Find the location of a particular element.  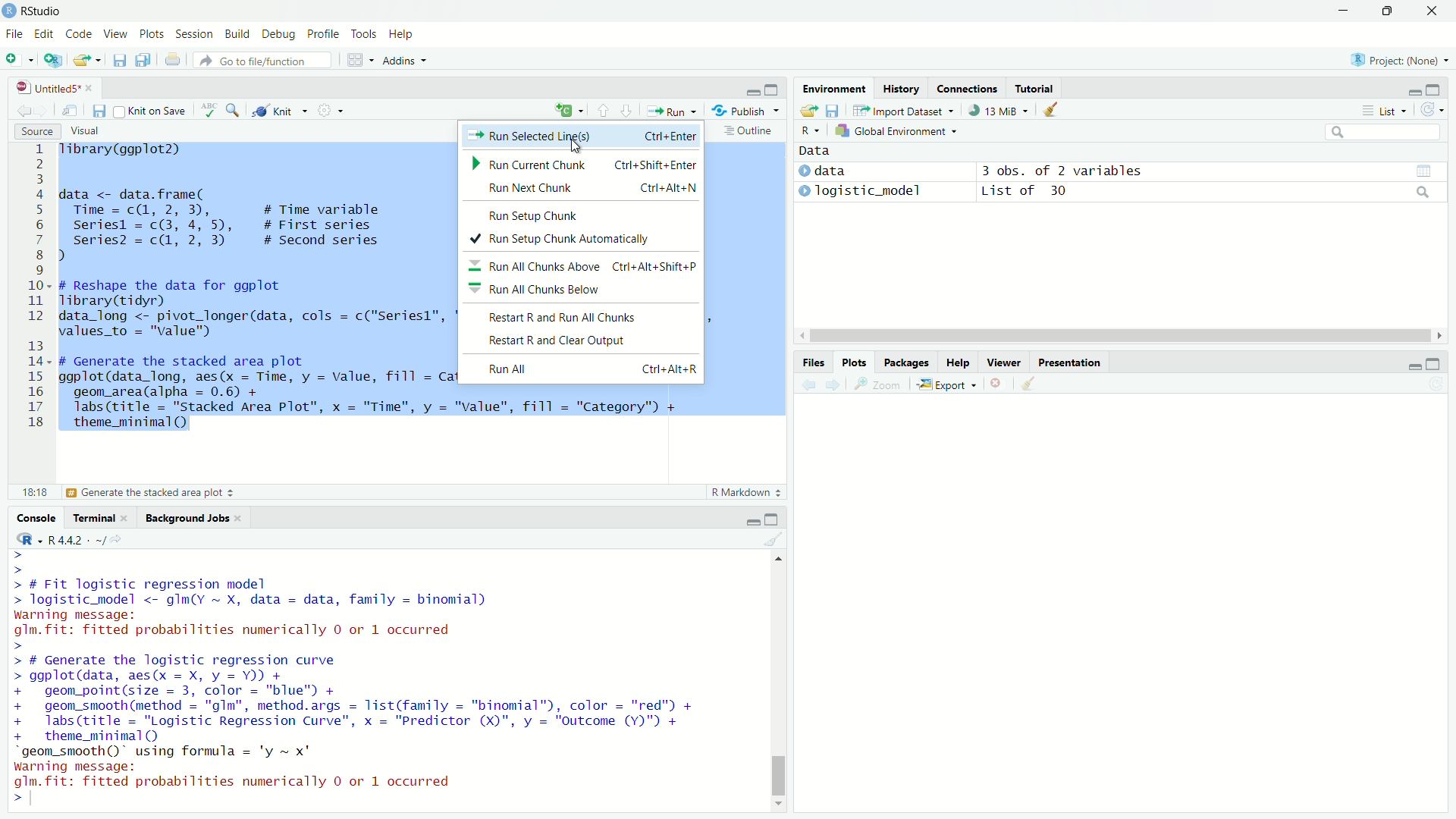

Untitled5* is located at coordinates (44, 86).